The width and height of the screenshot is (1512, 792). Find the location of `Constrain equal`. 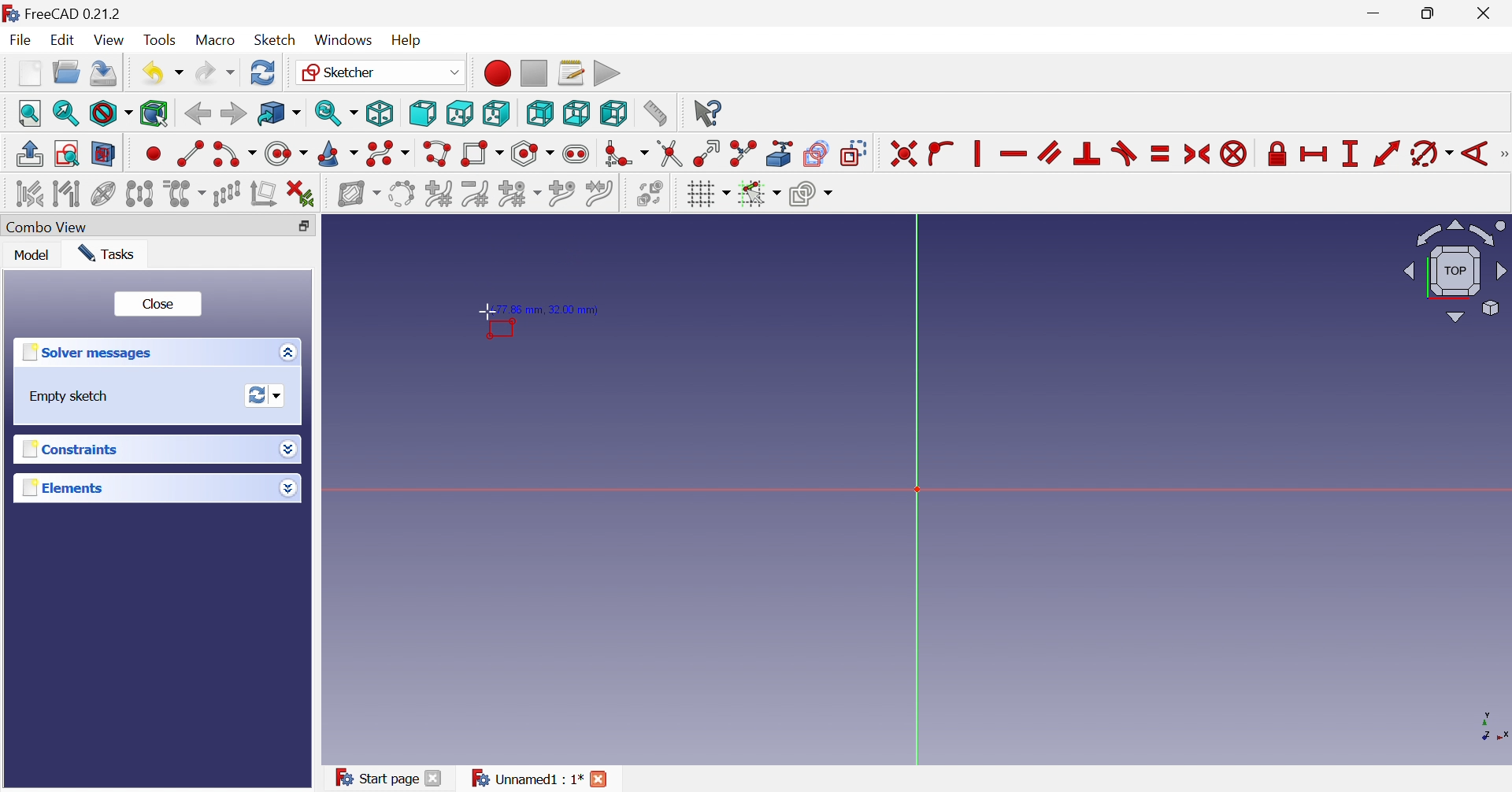

Constrain equal is located at coordinates (1161, 154).